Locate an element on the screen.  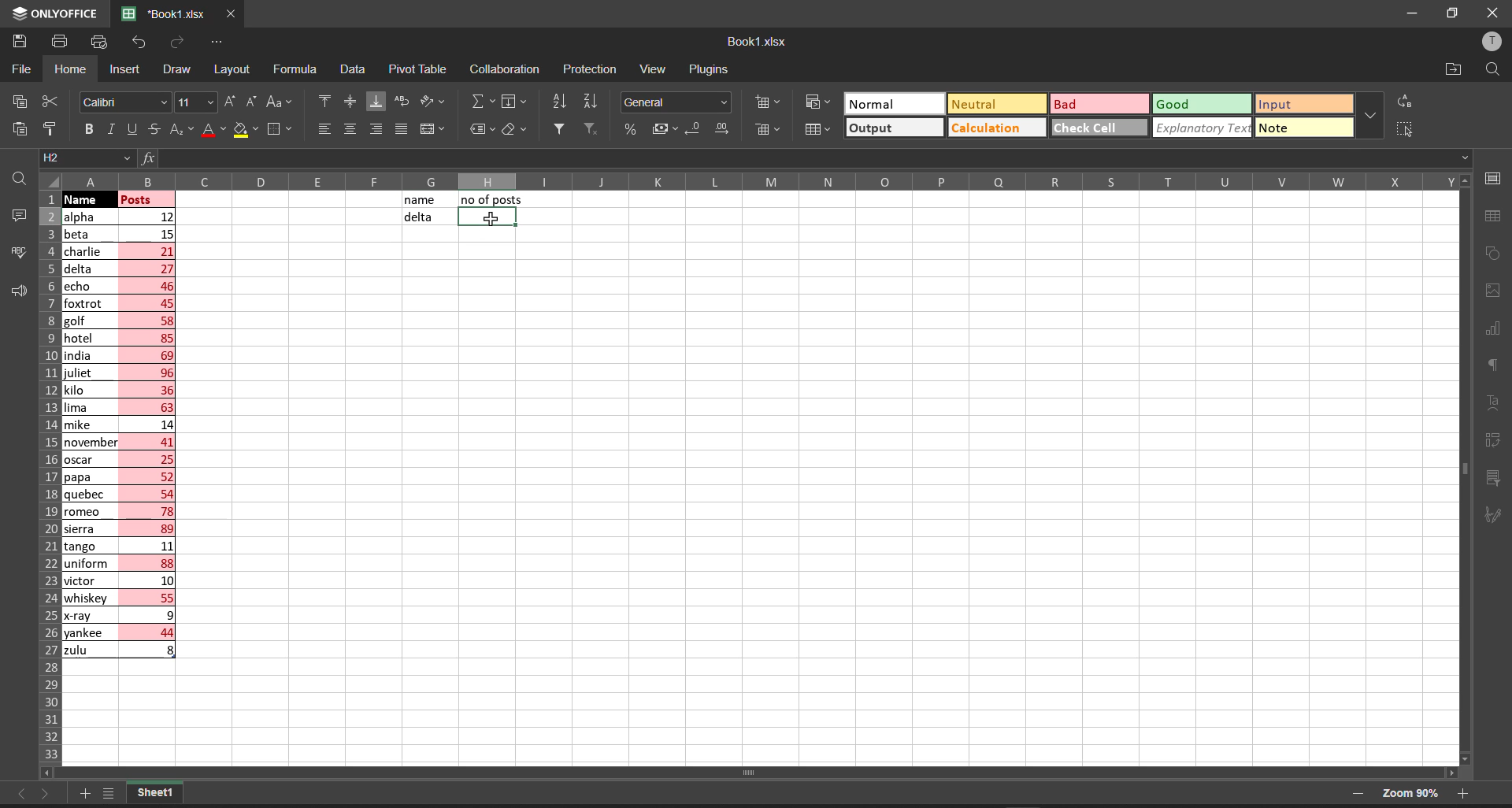
table settings is located at coordinates (1498, 217).